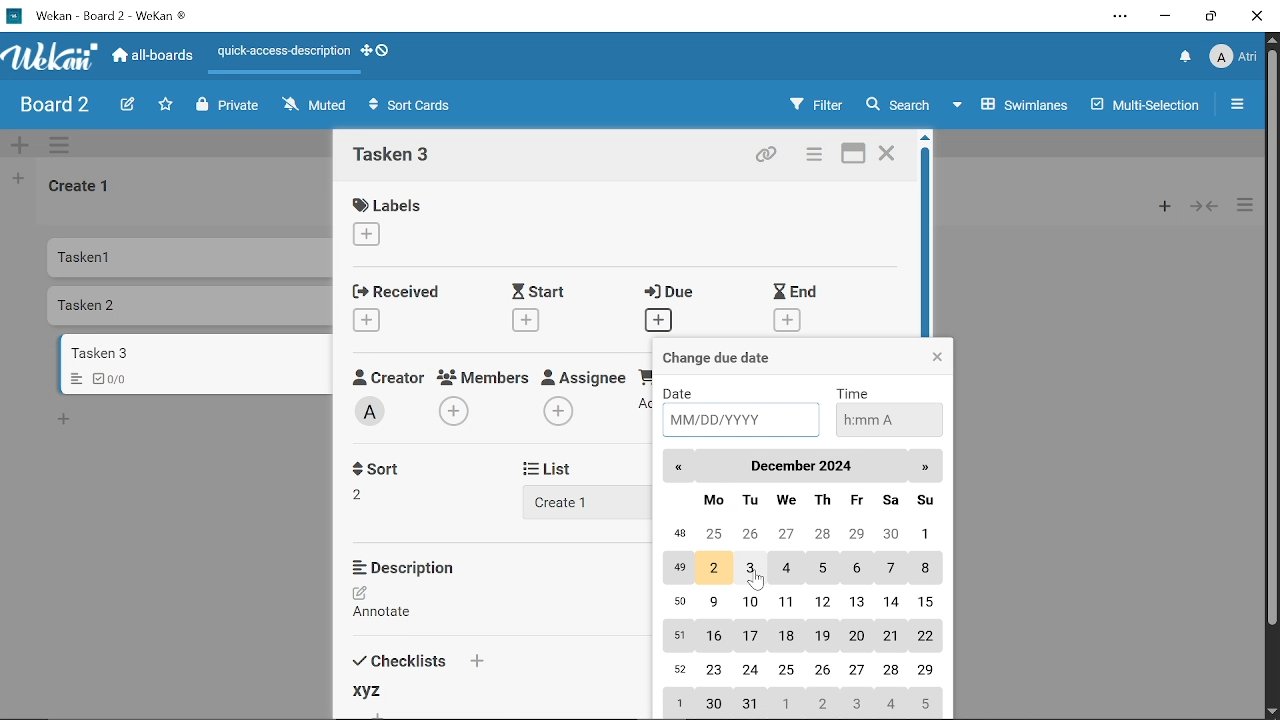 This screenshot has width=1280, height=720. Describe the element at coordinates (52, 106) in the screenshot. I see `Current board` at that location.